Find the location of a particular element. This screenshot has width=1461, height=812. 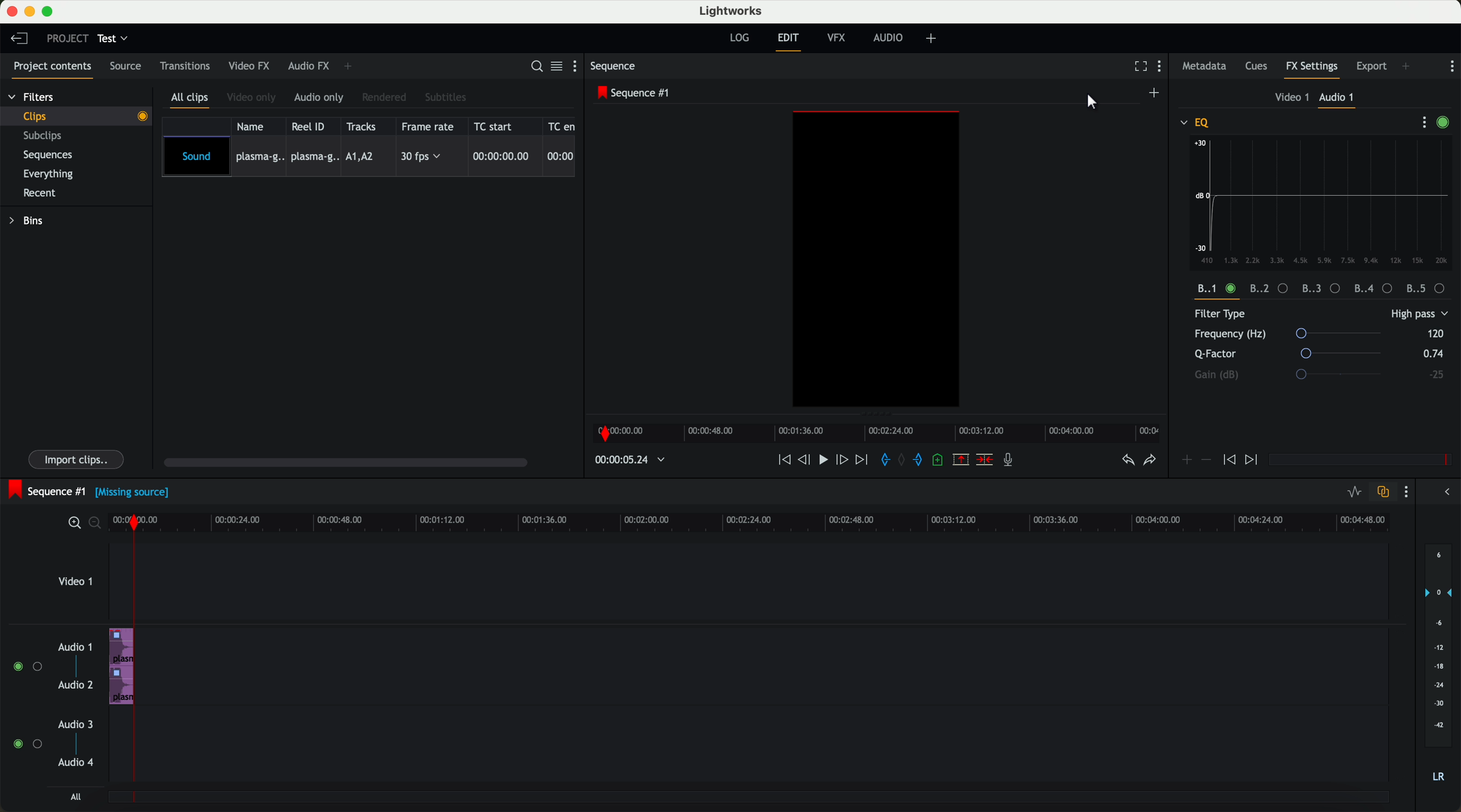

sequence is located at coordinates (617, 67).